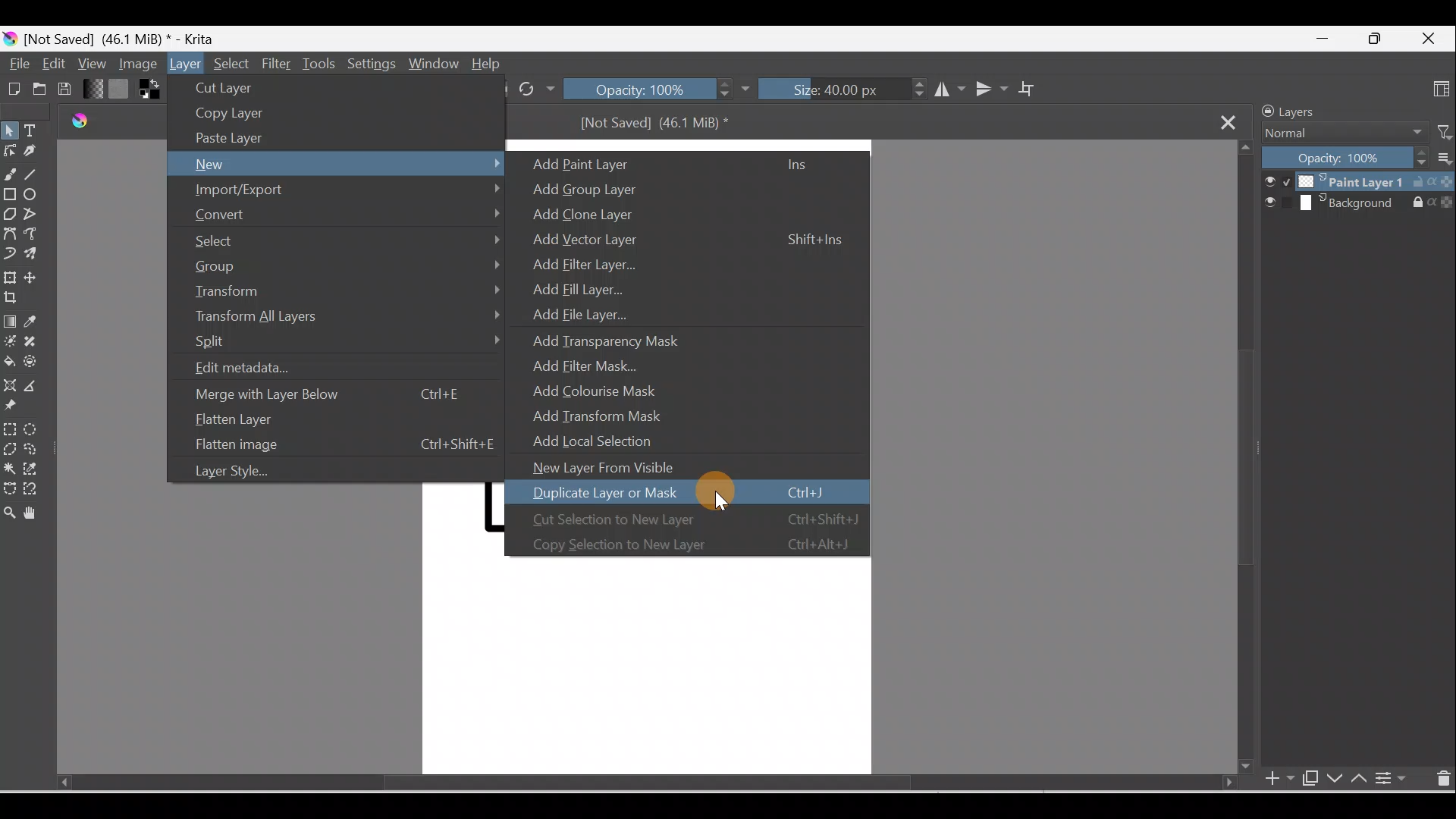 The height and width of the screenshot is (819, 1456). Describe the element at coordinates (679, 492) in the screenshot. I see `Duplicate layer or mask  Ctrl+J` at that location.